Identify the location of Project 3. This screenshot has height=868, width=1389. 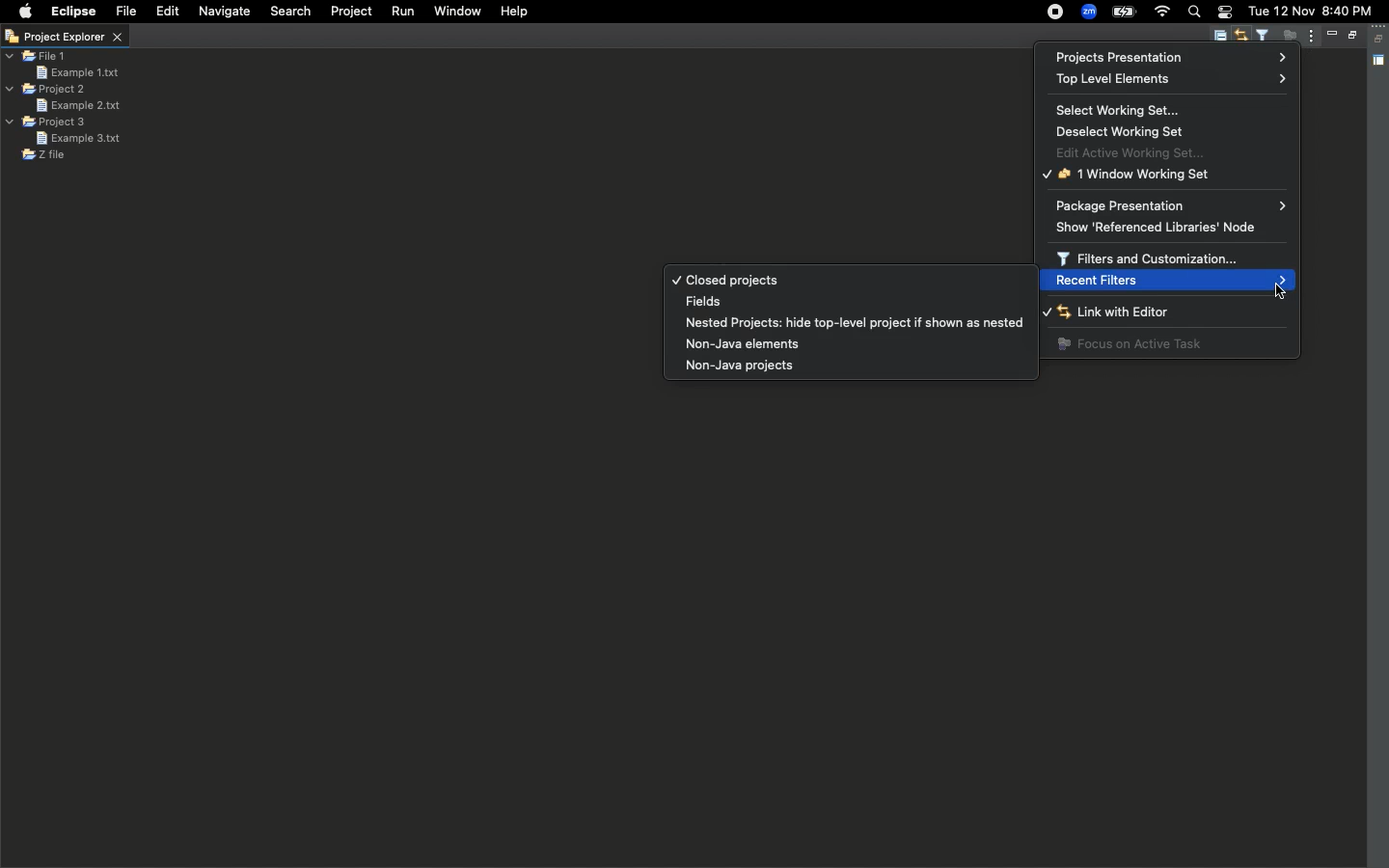
(48, 122).